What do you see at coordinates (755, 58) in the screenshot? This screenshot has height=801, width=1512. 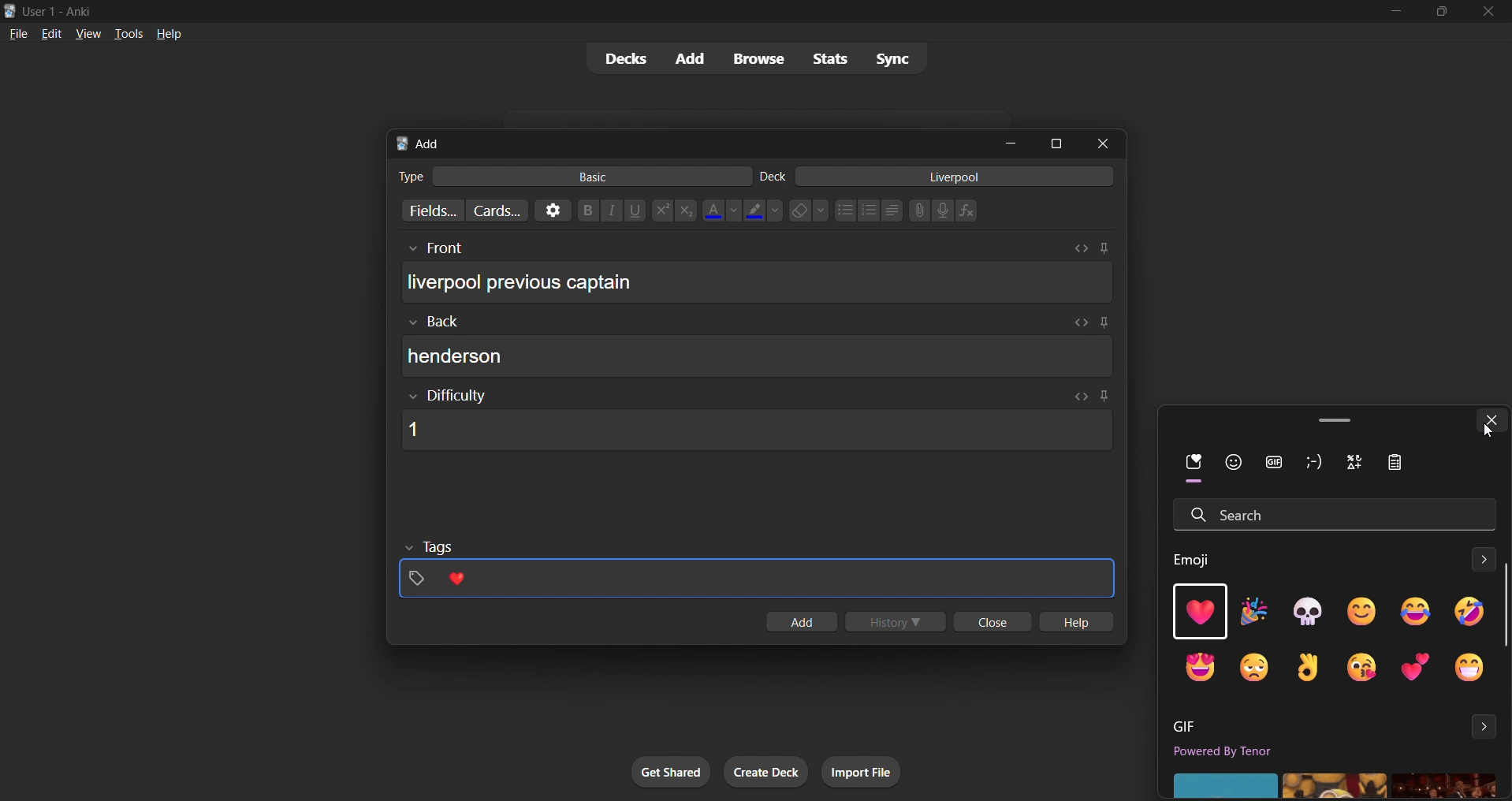 I see `browse` at bounding box center [755, 58].